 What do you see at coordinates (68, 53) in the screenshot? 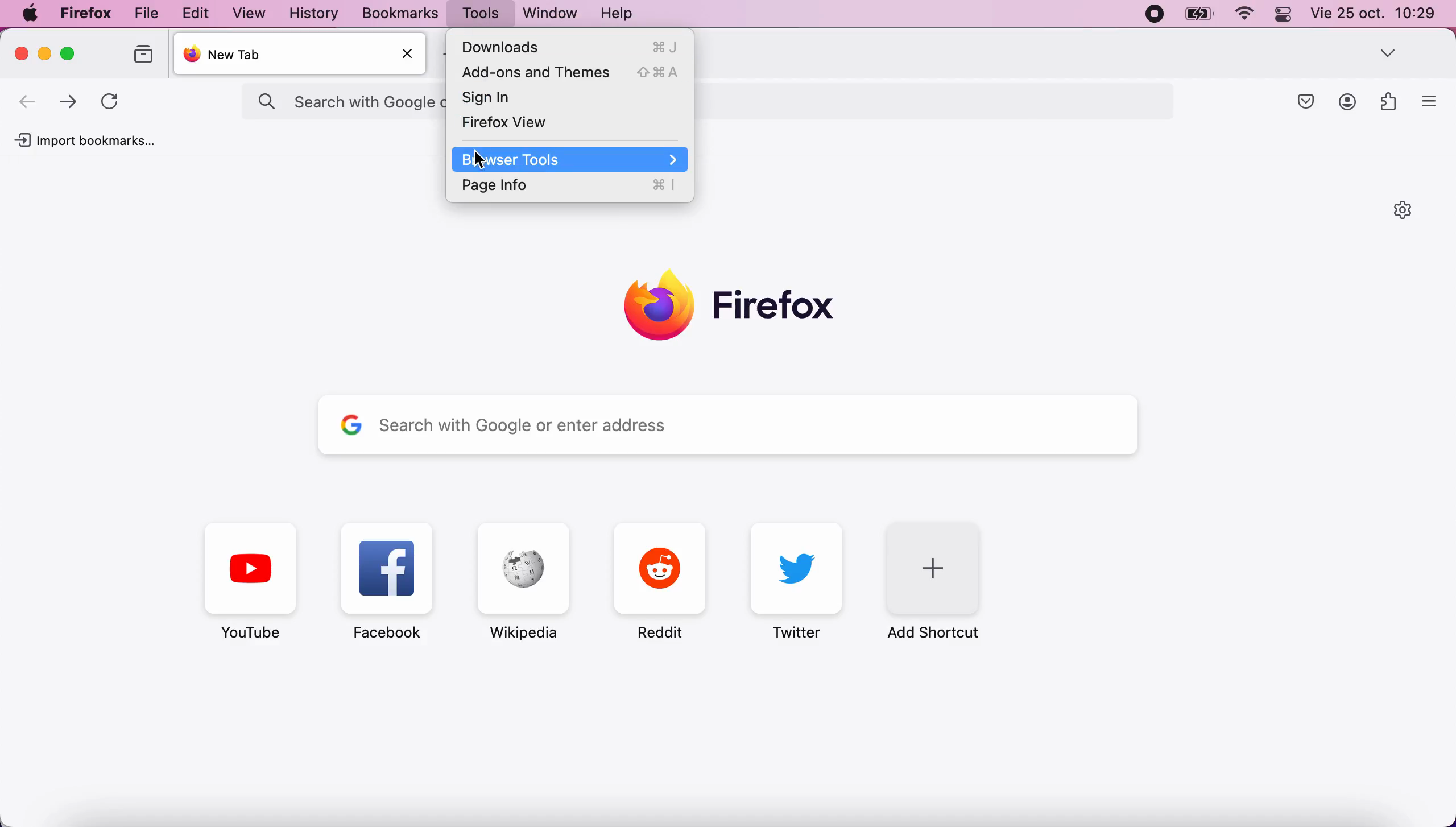
I see `Maximize` at bounding box center [68, 53].